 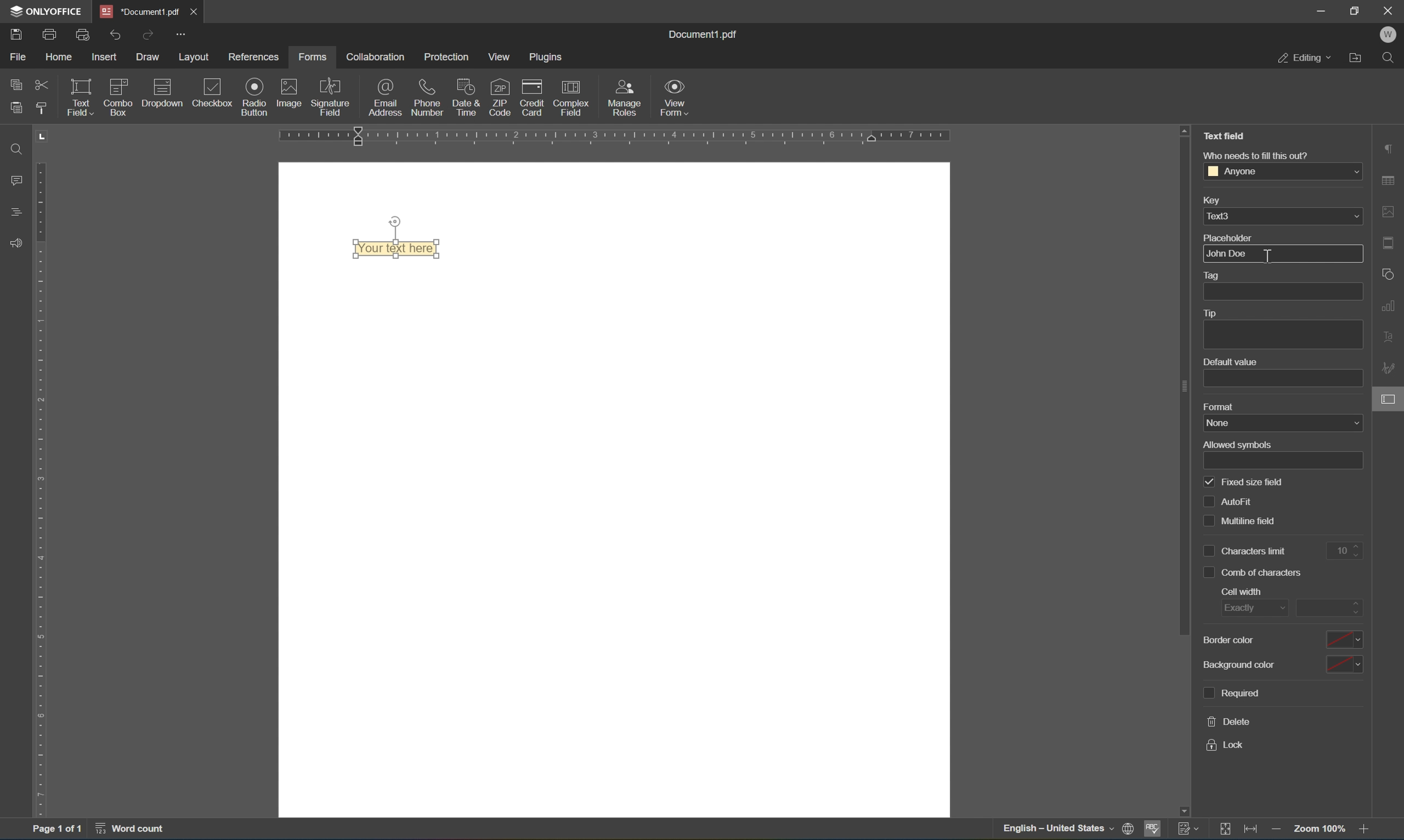 What do you see at coordinates (255, 96) in the screenshot?
I see `radio button` at bounding box center [255, 96].